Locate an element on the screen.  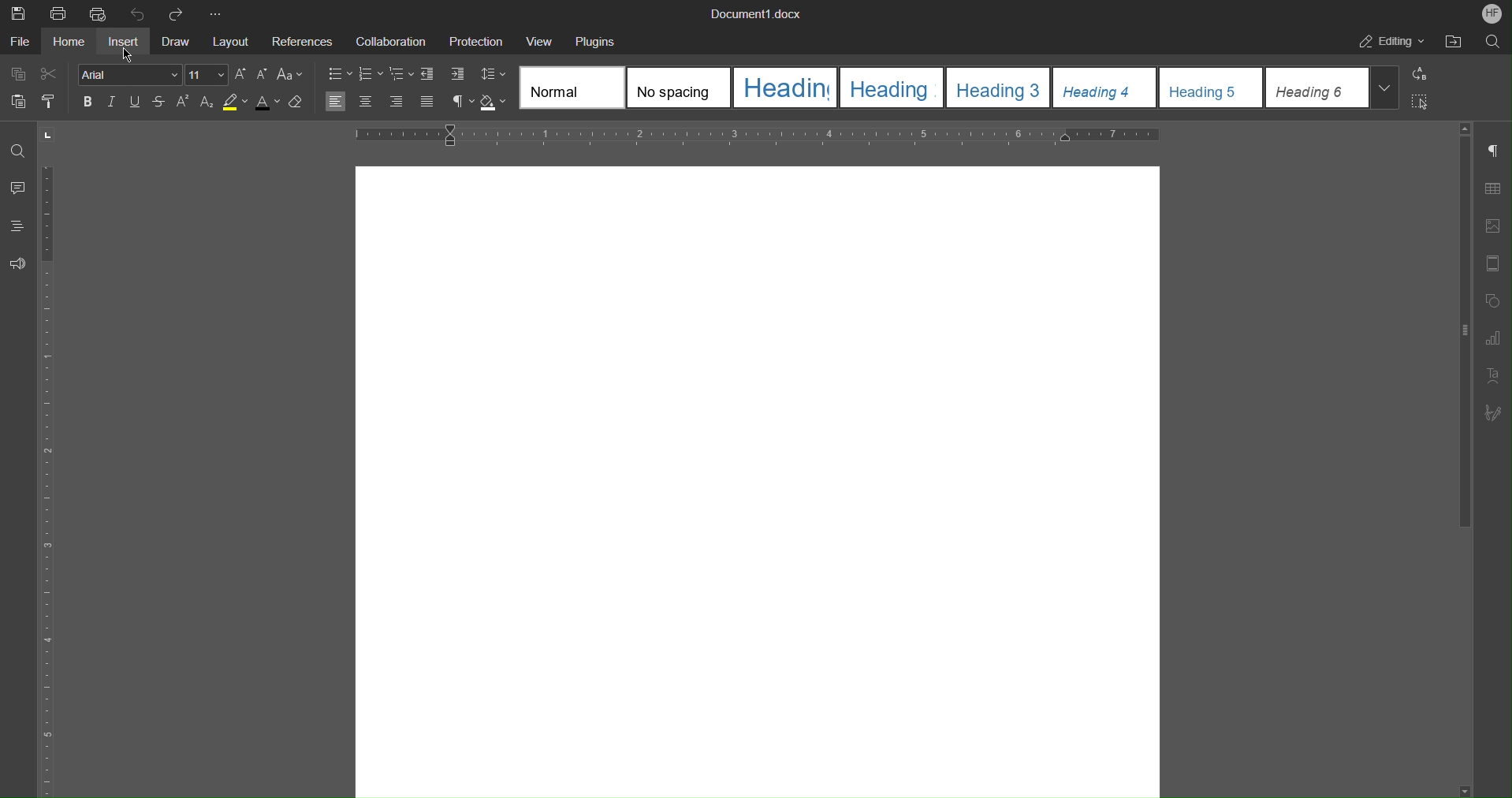
Text Color is located at coordinates (270, 102).